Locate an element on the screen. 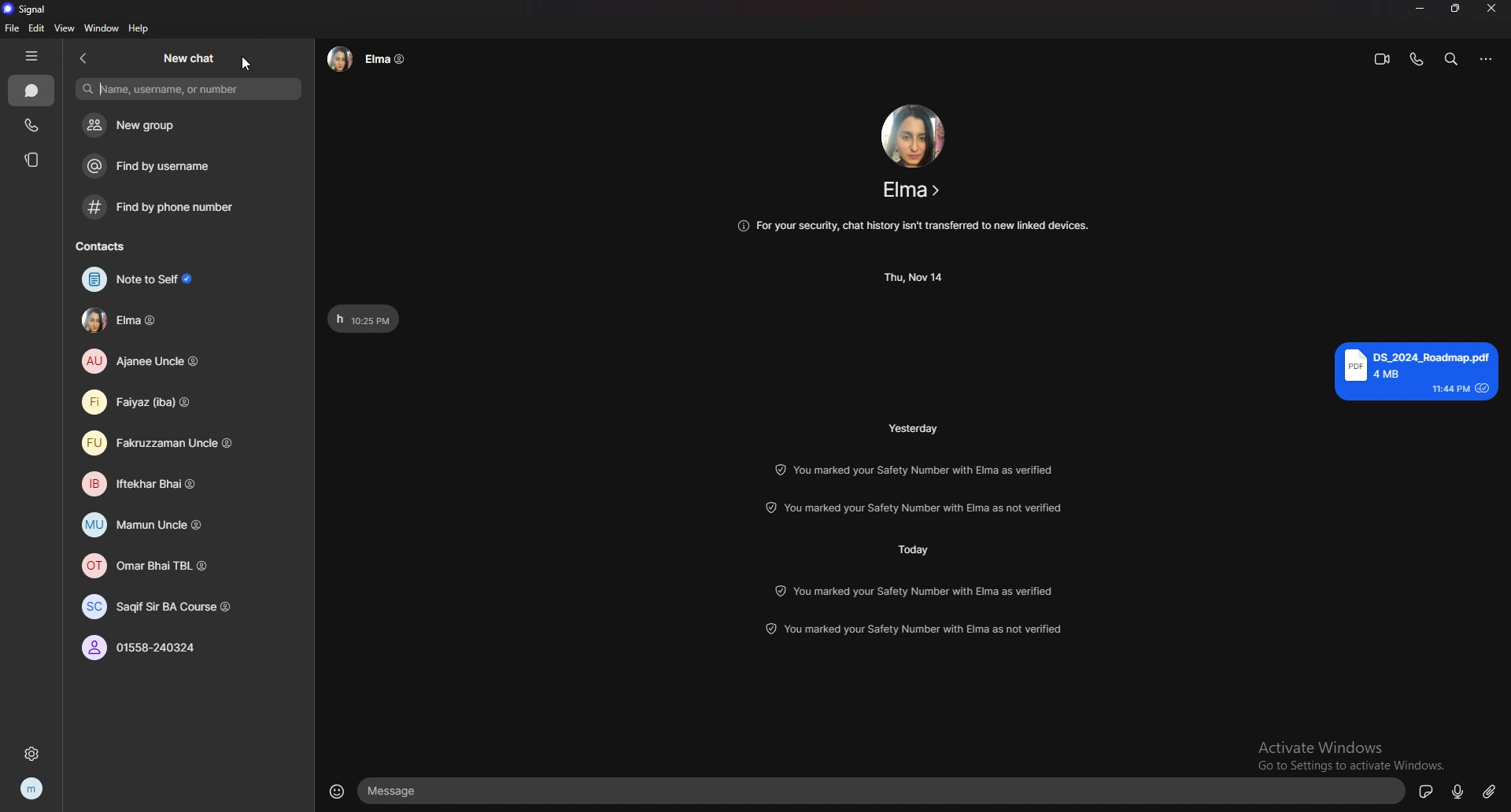  note to self is located at coordinates (148, 280).